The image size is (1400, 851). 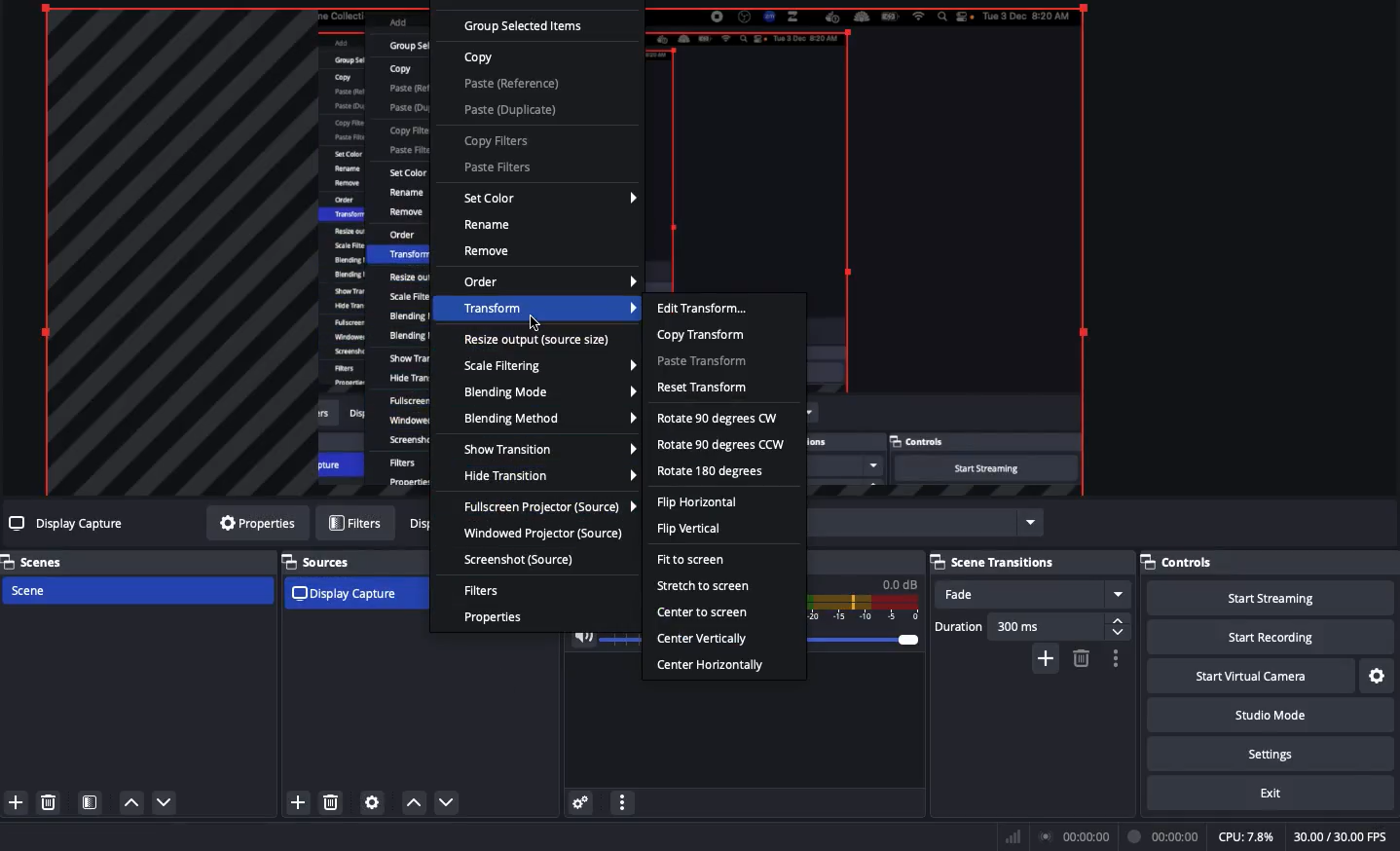 I want to click on Settings, so click(x=1277, y=756).